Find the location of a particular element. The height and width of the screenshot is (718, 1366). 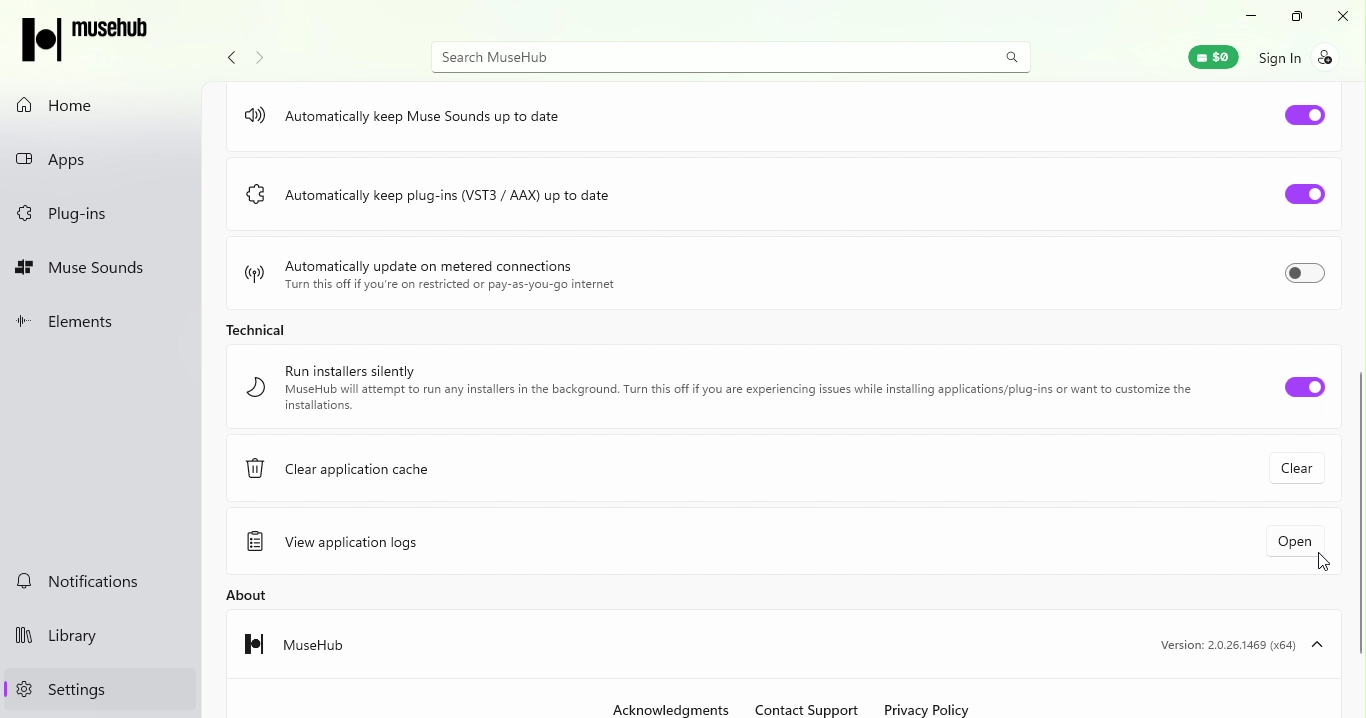

About is located at coordinates (251, 600).